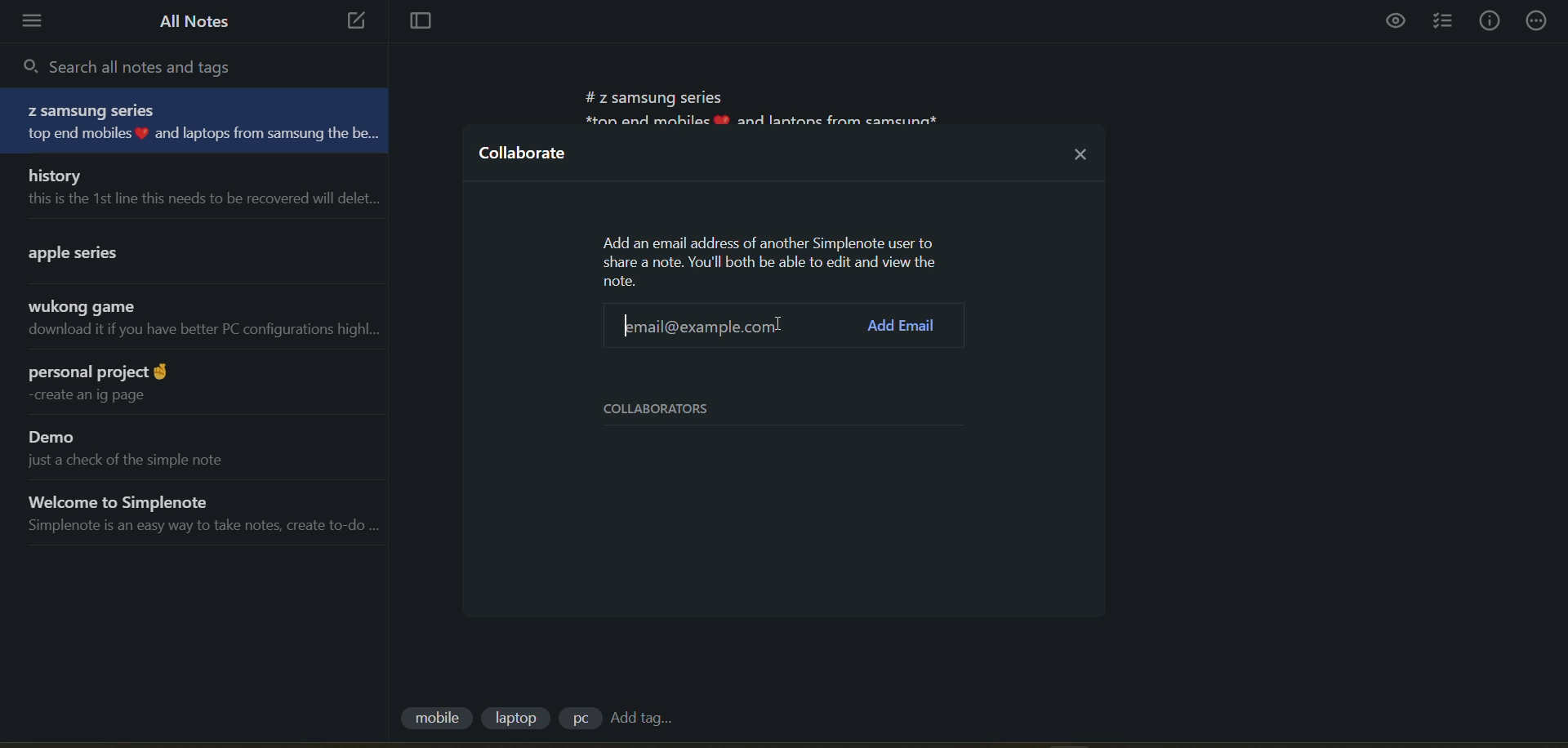 The image size is (1568, 748). I want to click on toggle focus mode, so click(414, 23).